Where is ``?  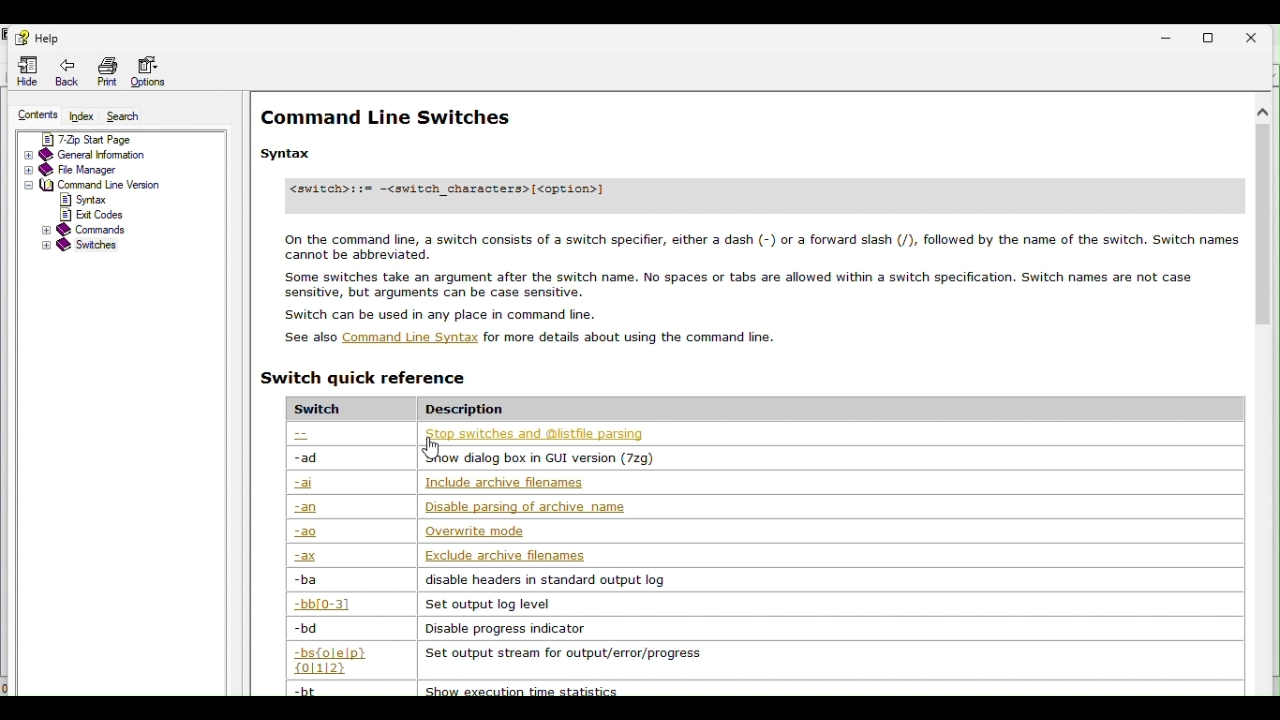  is located at coordinates (98, 214).